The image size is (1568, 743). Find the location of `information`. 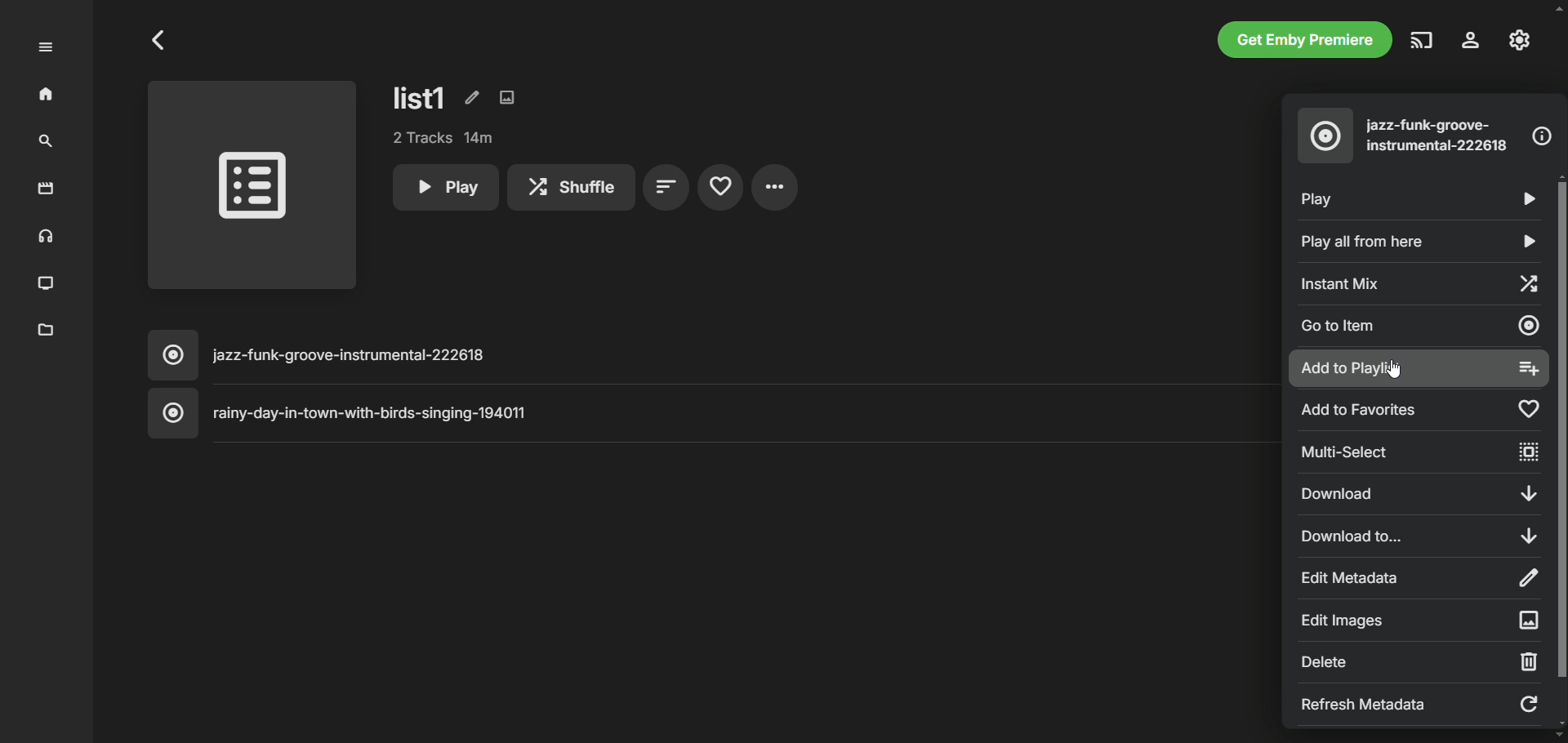

information is located at coordinates (1542, 136).